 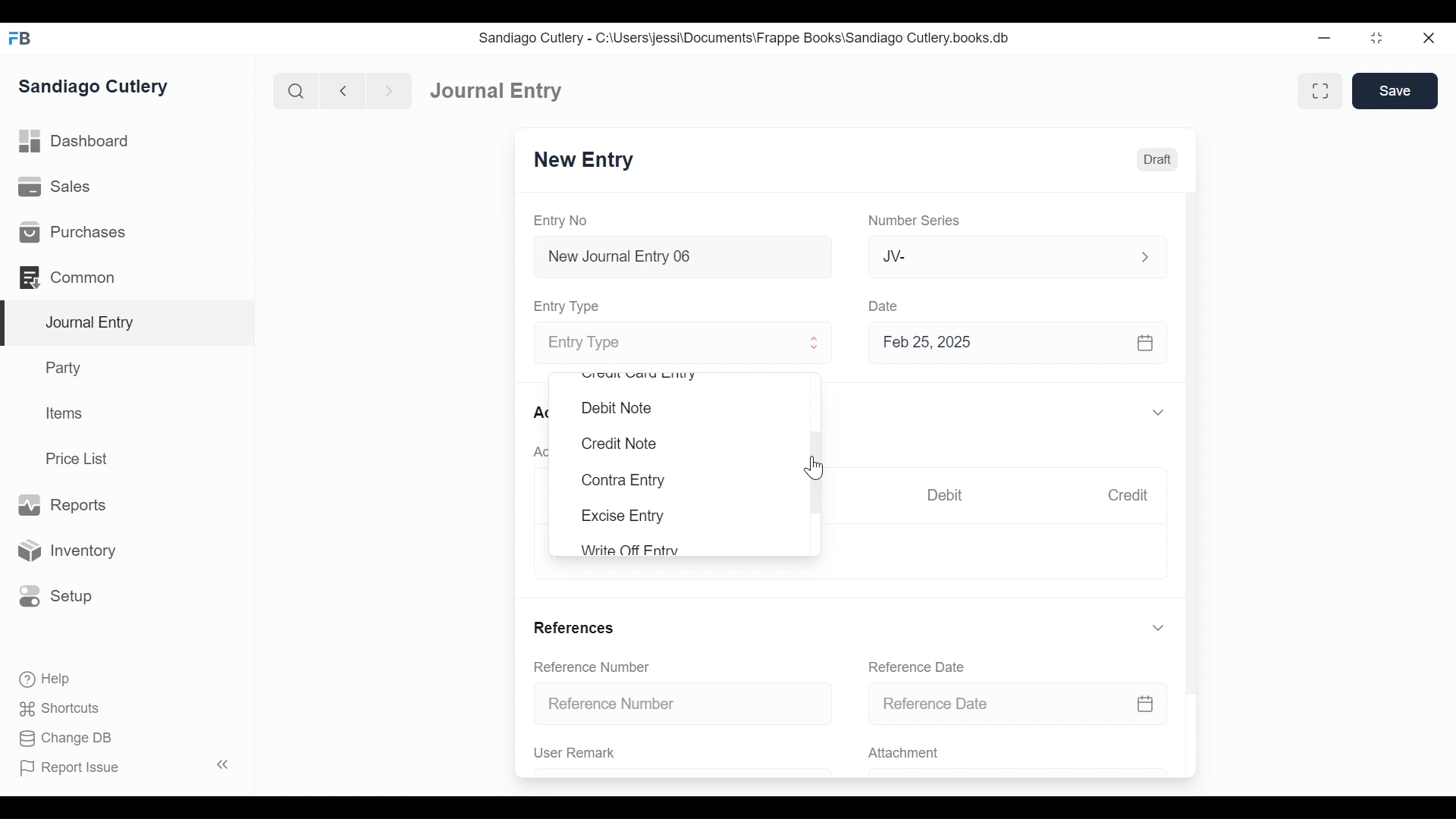 I want to click on Expand, so click(x=1161, y=413).